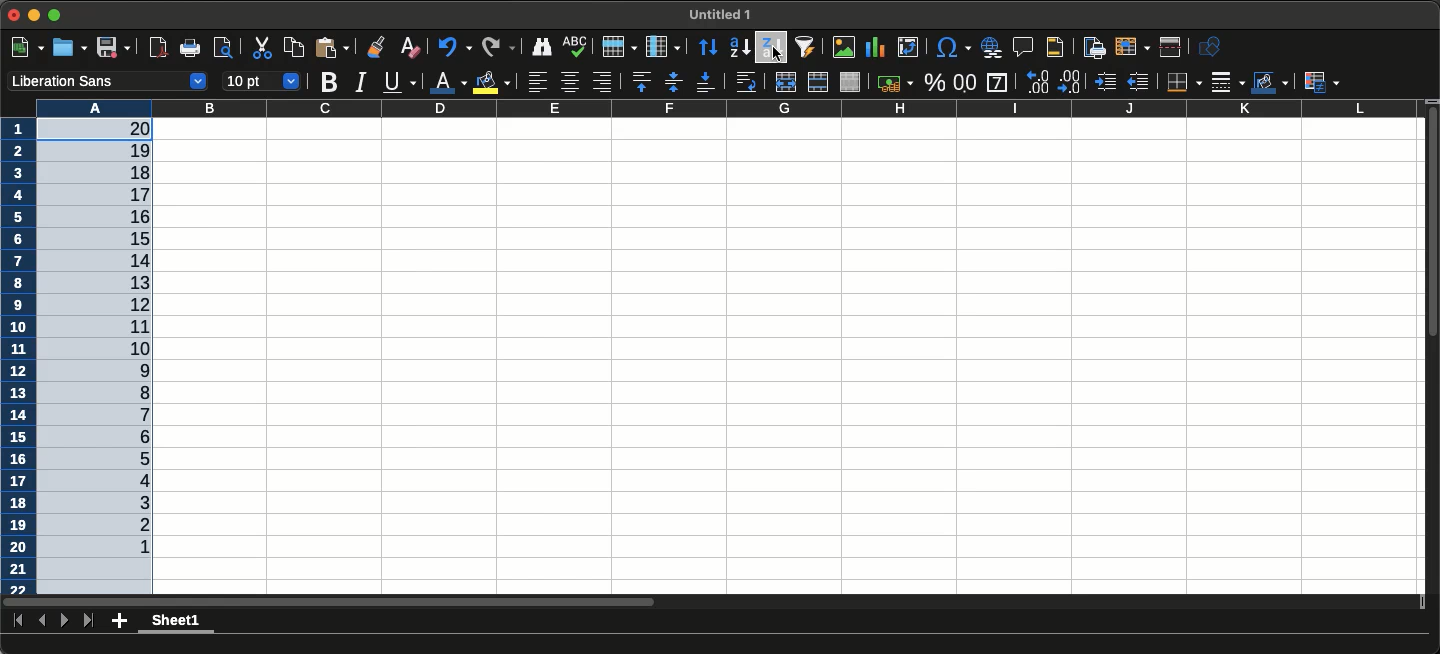 The width and height of the screenshot is (1440, 654). What do you see at coordinates (726, 107) in the screenshot?
I see `Column` at bounding box center [726, 107].